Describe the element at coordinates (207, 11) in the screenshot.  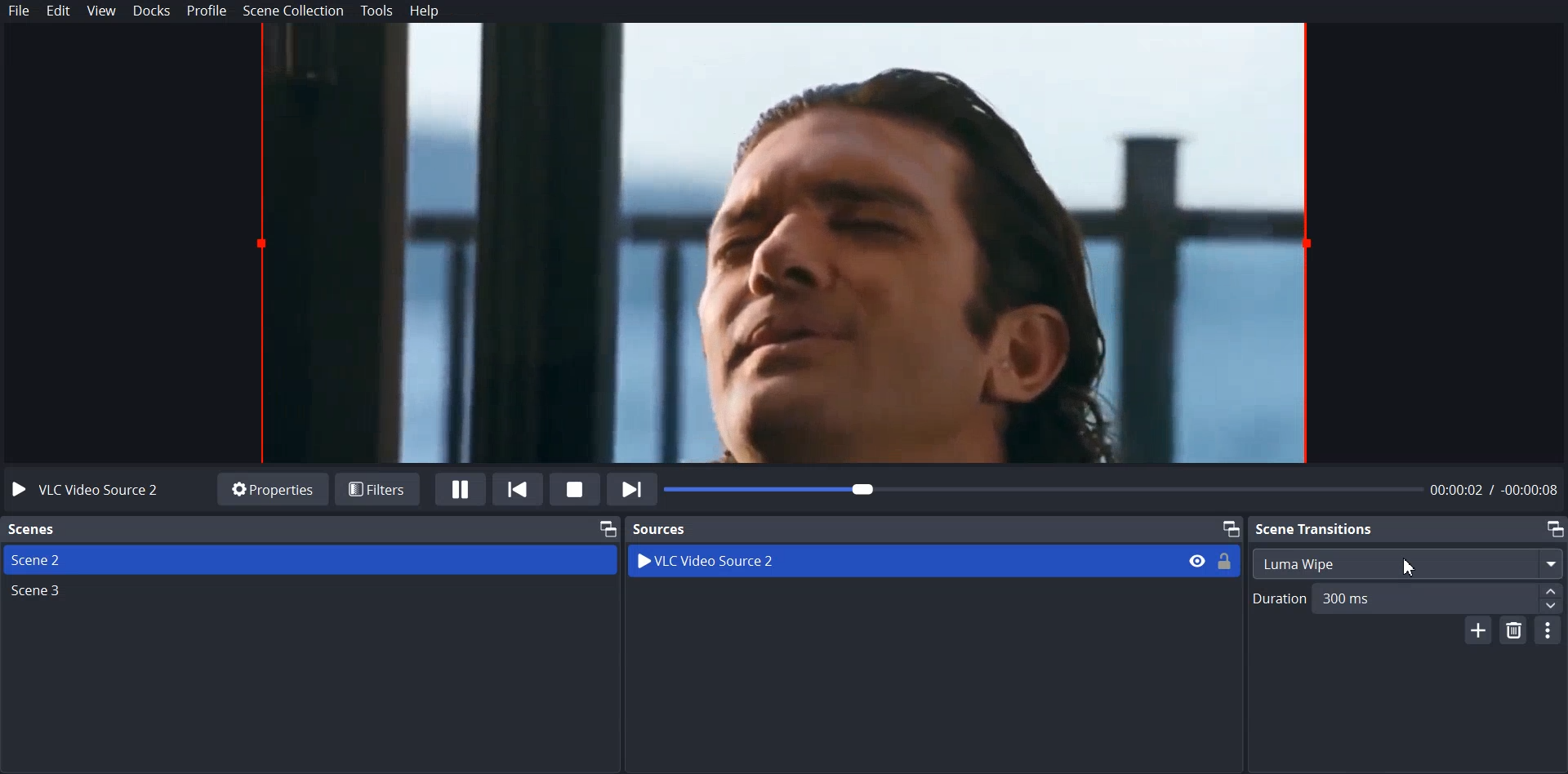
I see `Profile` at that location.